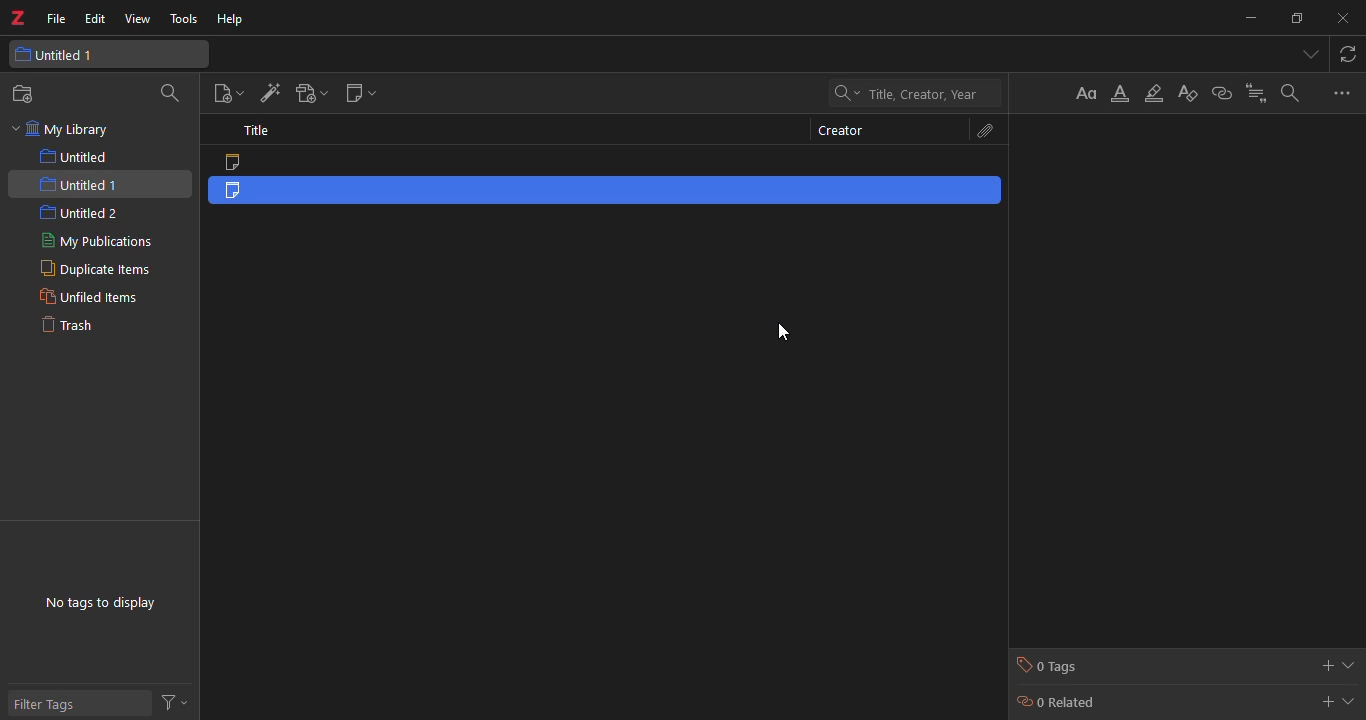  I want to click on my publications, so click(99, 243).